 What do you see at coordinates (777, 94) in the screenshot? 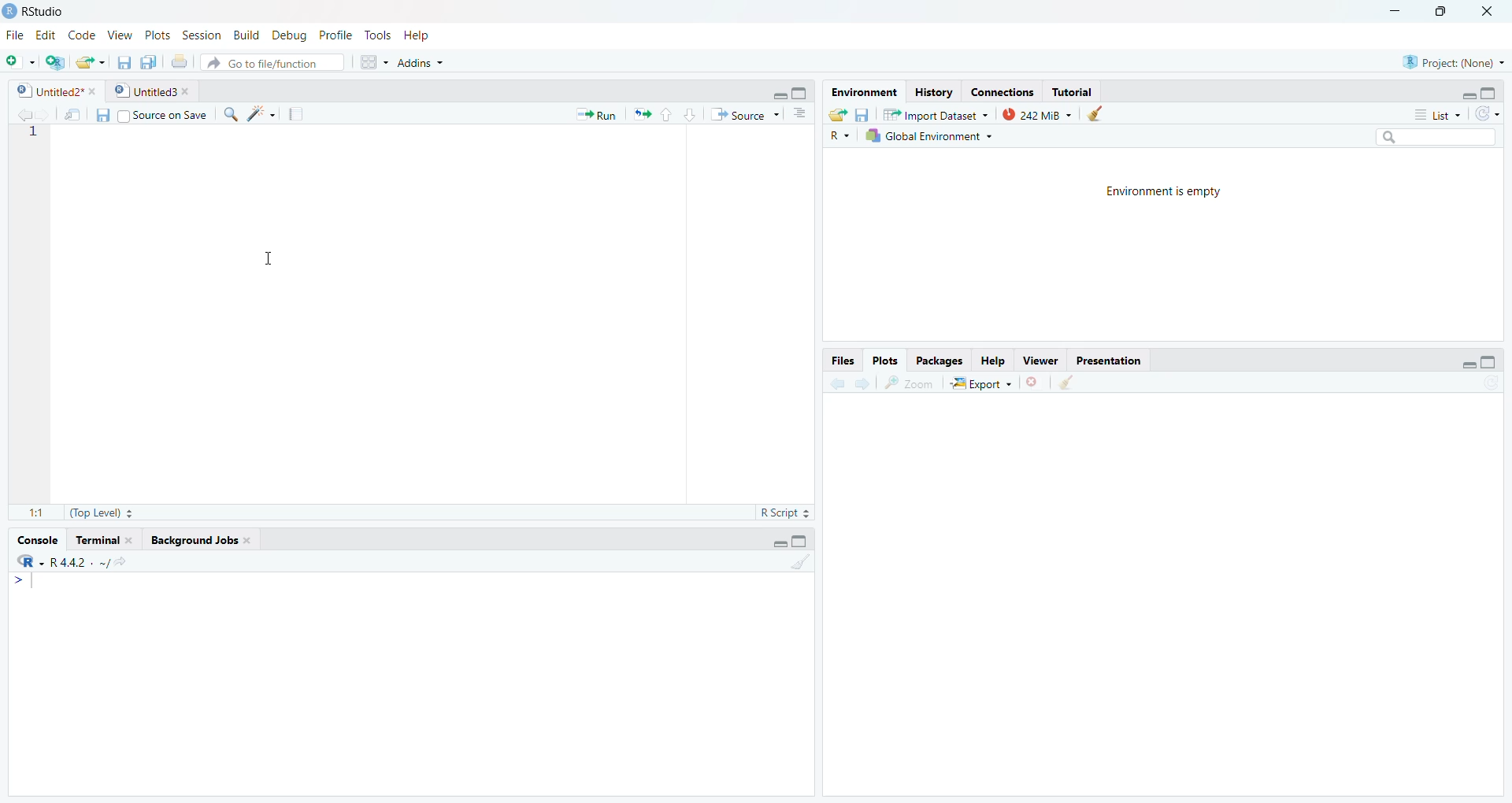
I see `minimize` at bounding box center [777, 94].